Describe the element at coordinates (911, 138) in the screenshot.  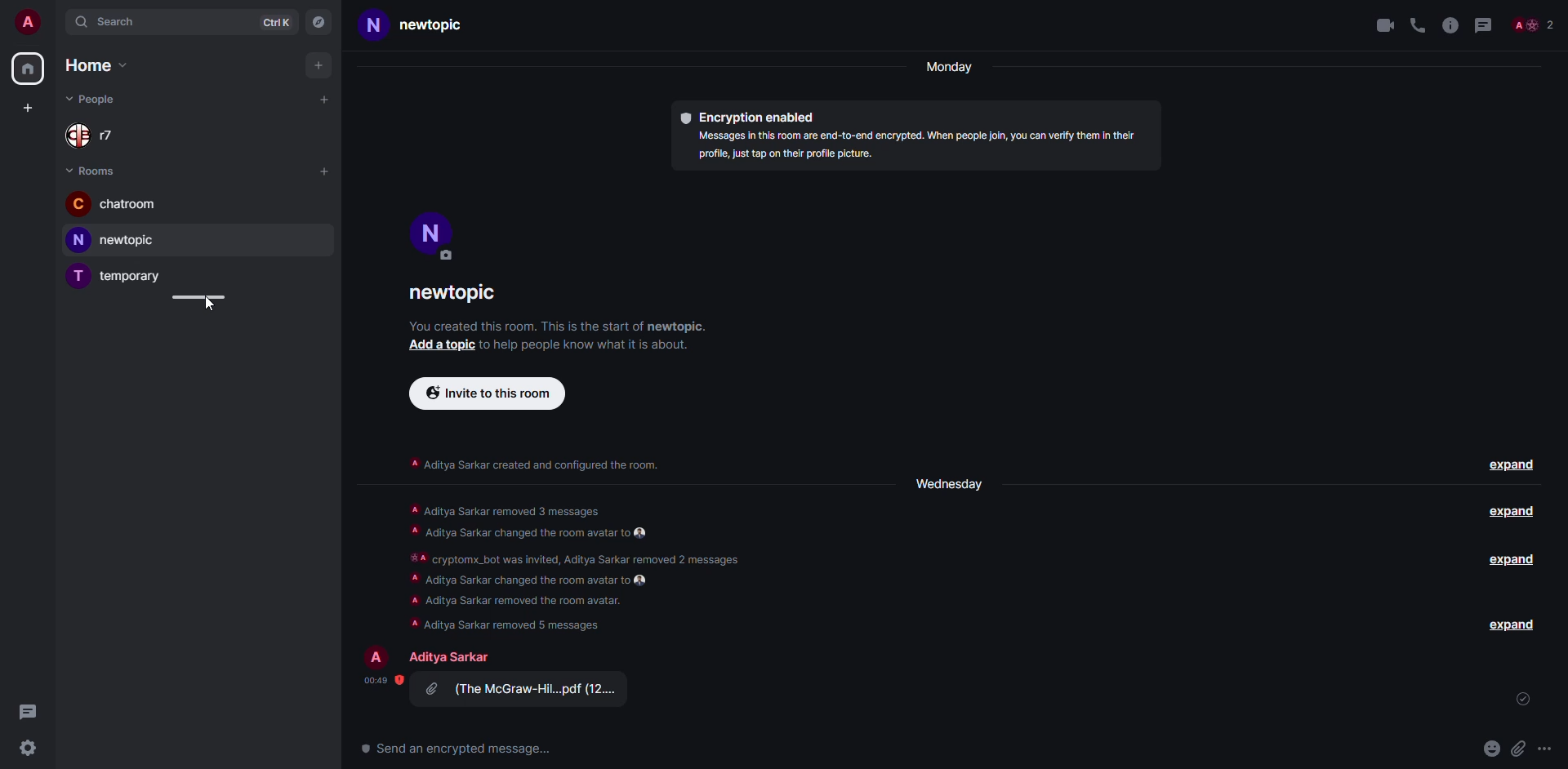
I see `® Encryption enabled
Messages in this room are end-to-end encrypted. When people join, you can verify them in their
profile, just tap on their profile picture.` at that location.